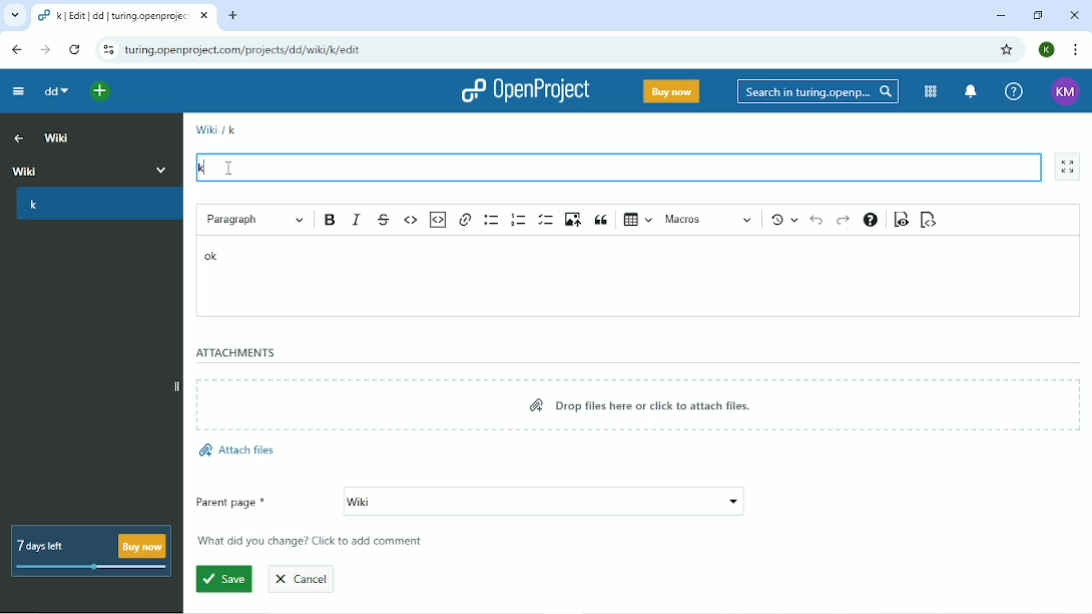 This screenshot has width=1092, height=614. Describe the element at coordinates (491, 221) in the screenshot. I see `Bulleted list` at that location.